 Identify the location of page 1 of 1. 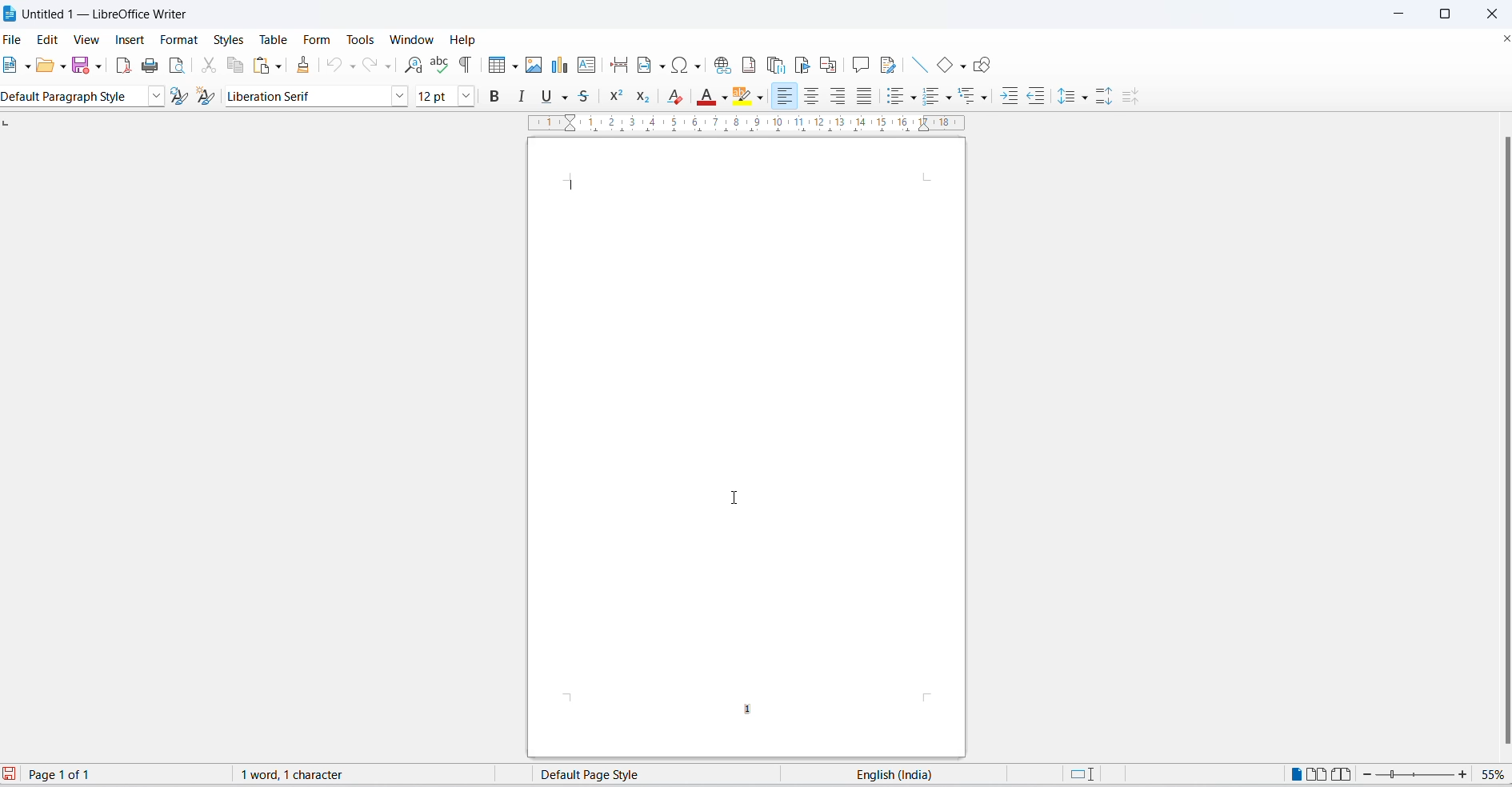
(66, 773).